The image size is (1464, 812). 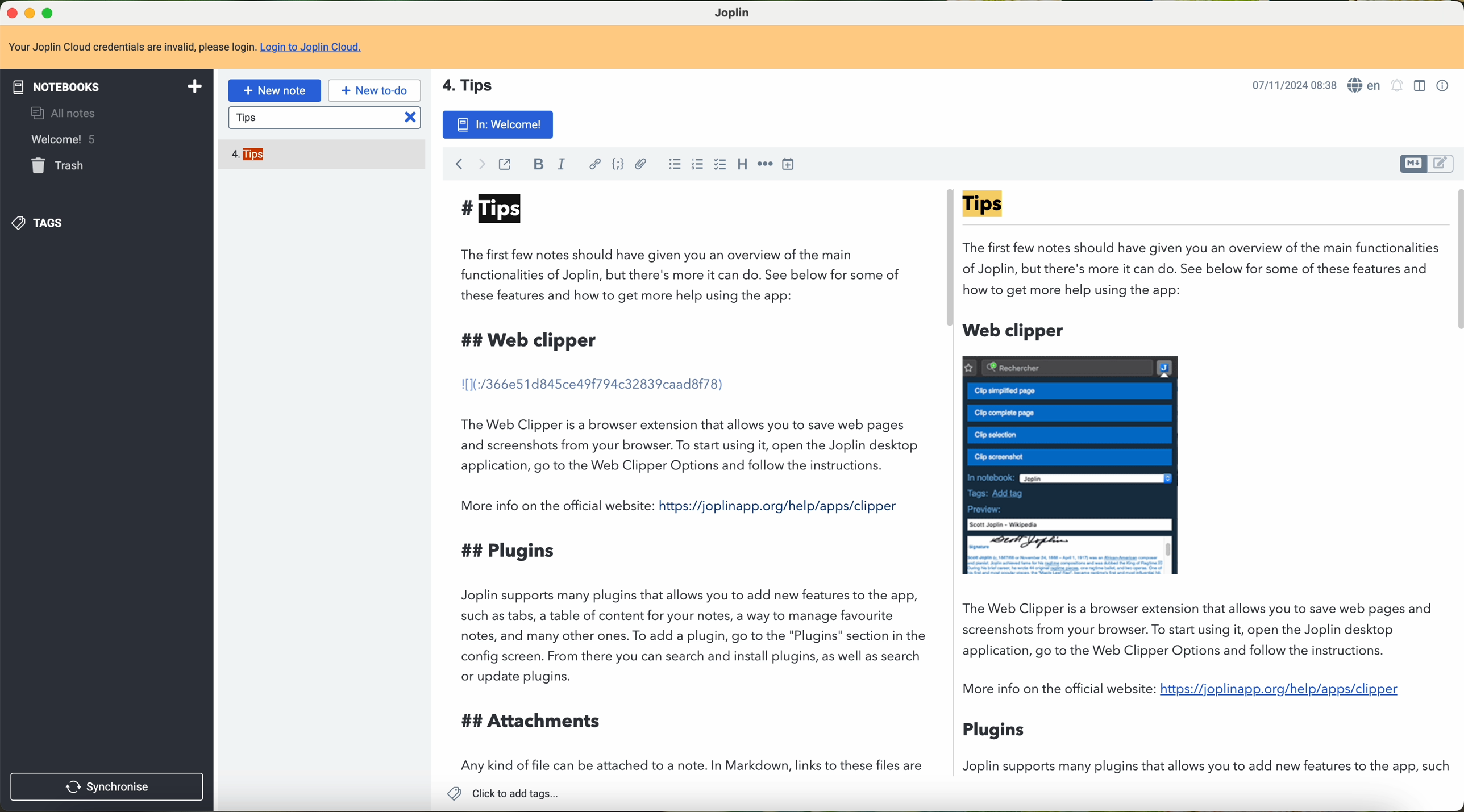 I want to click on Tips title note, so click(x=474, y=85).